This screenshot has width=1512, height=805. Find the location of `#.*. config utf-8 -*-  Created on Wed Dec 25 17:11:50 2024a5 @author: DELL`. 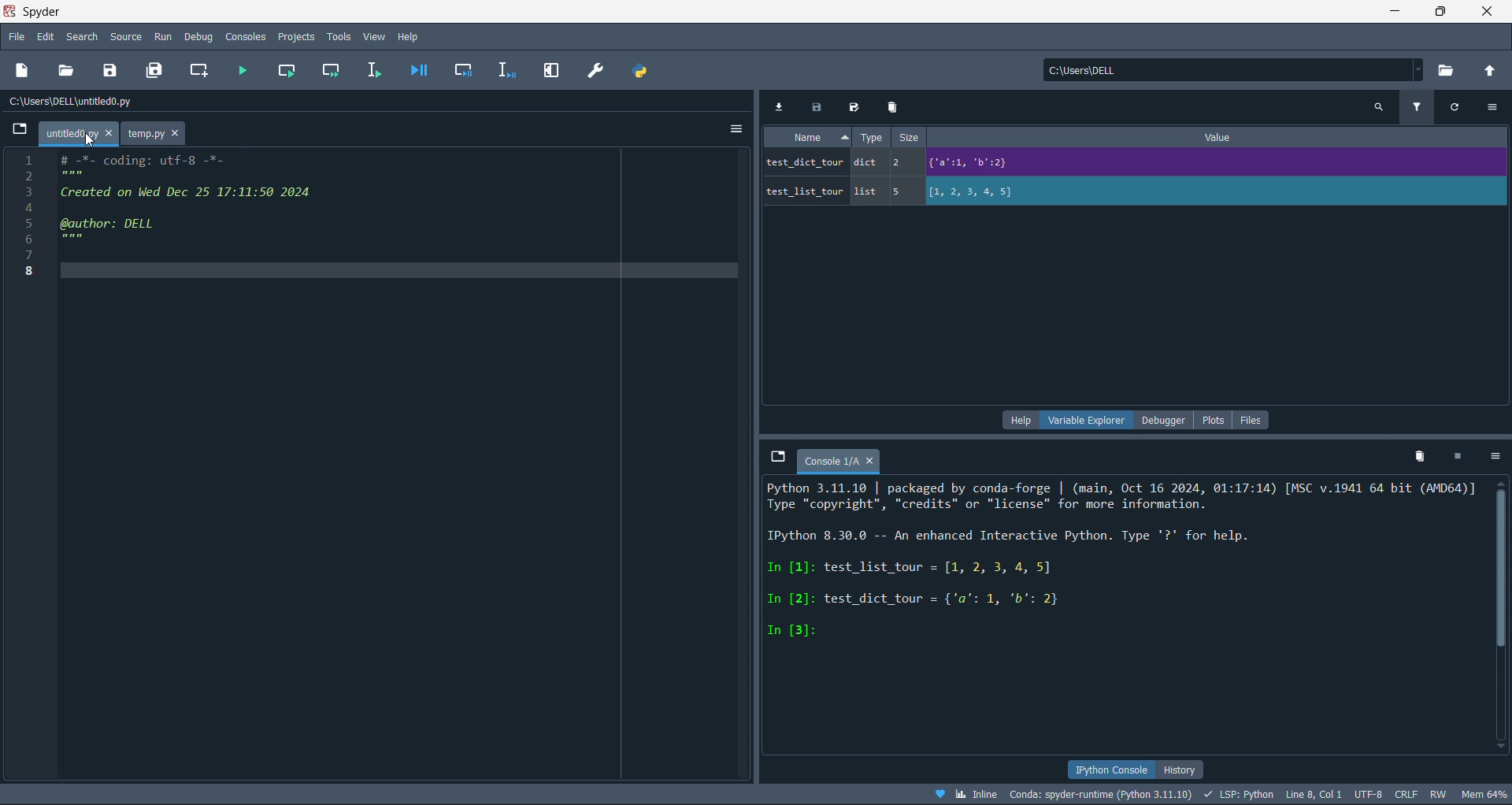

#.*. config utf-8 -*-  Created on Wed Dec 25 17:11:50 2024a5 @author: DELL is located at coordinates (243, 197).